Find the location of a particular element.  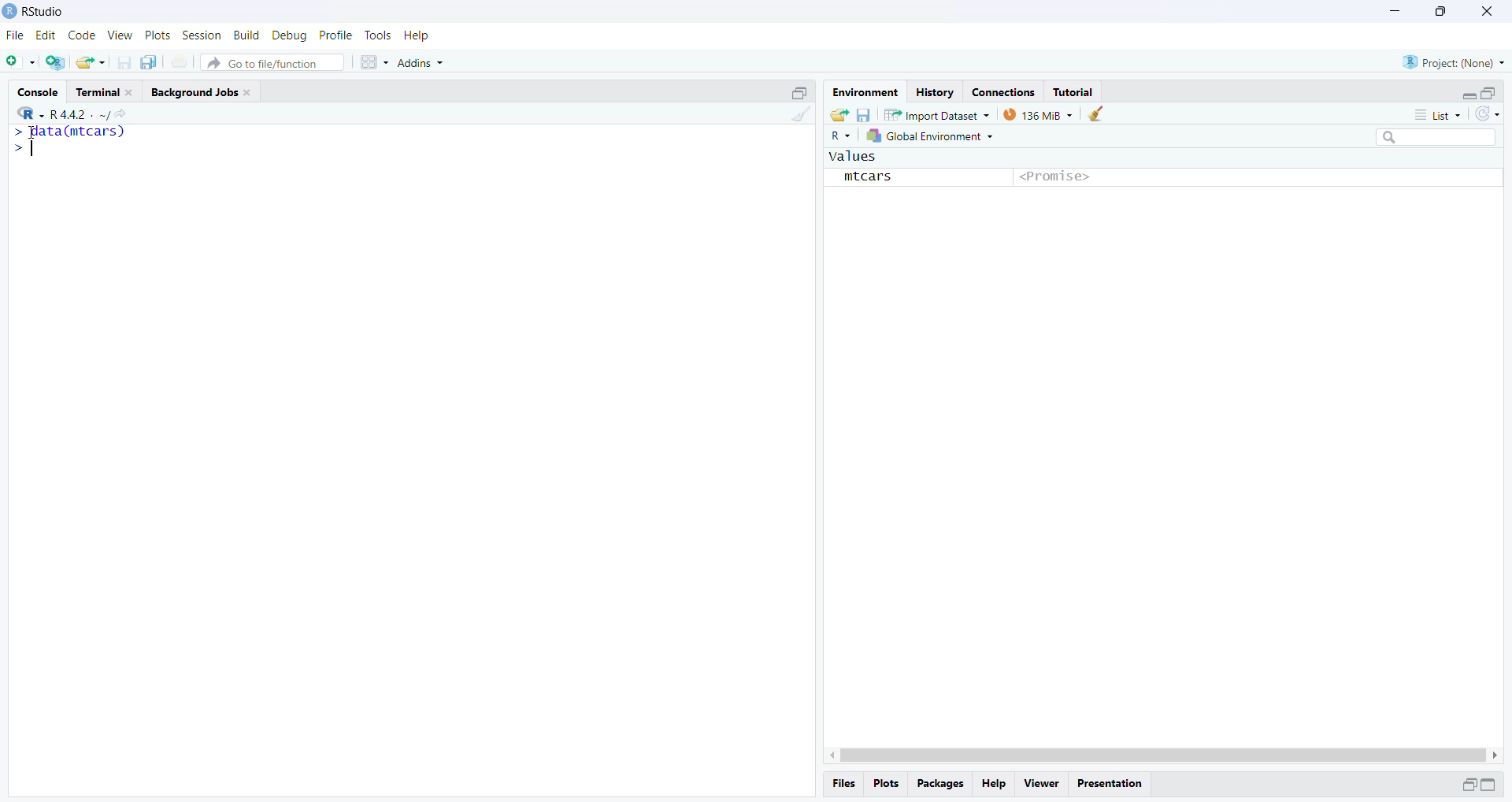

Minimize is located at coordinates (1395, 12).